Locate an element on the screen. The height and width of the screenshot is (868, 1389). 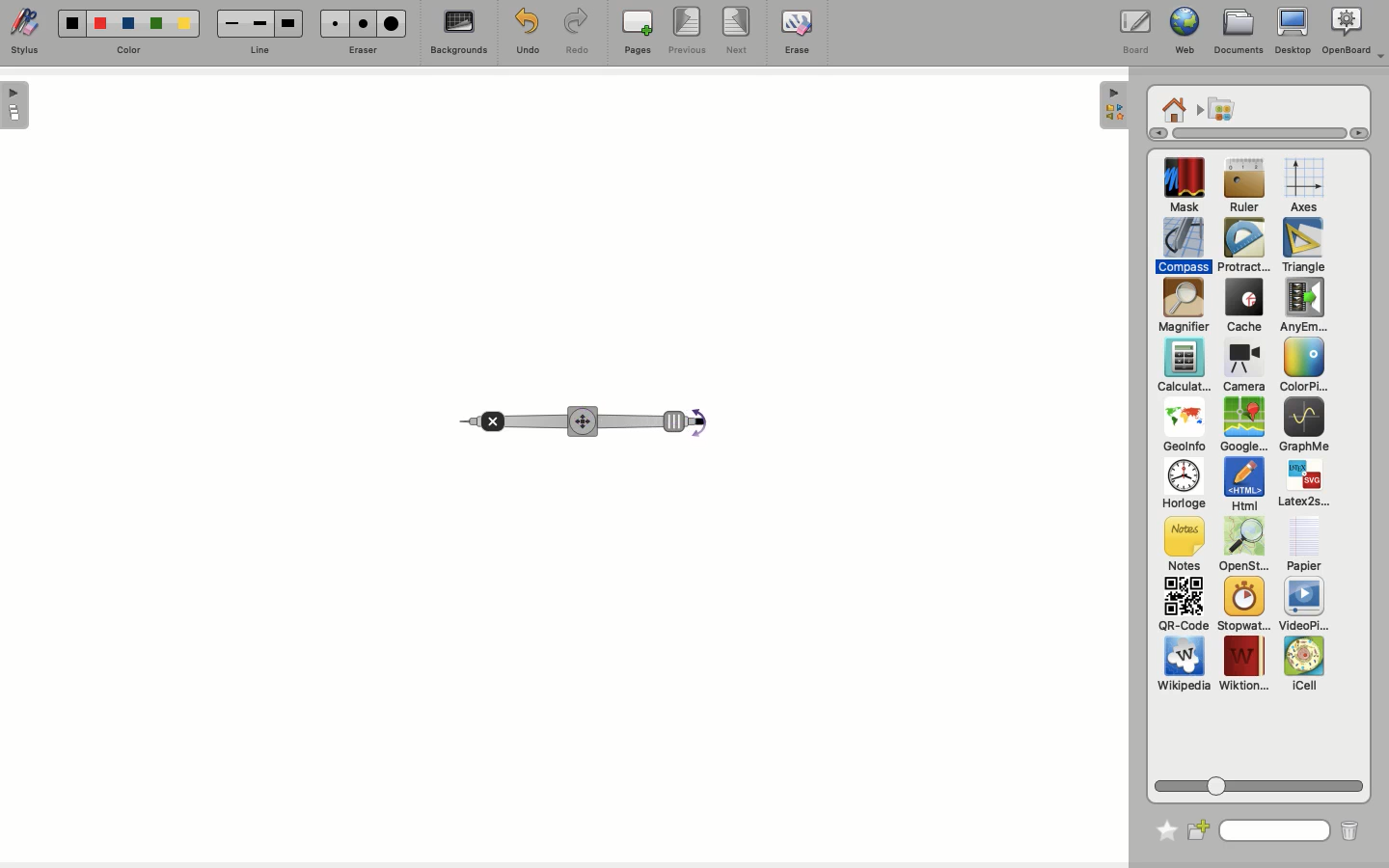
Stopwatch is located at coordinates (1242, 606).